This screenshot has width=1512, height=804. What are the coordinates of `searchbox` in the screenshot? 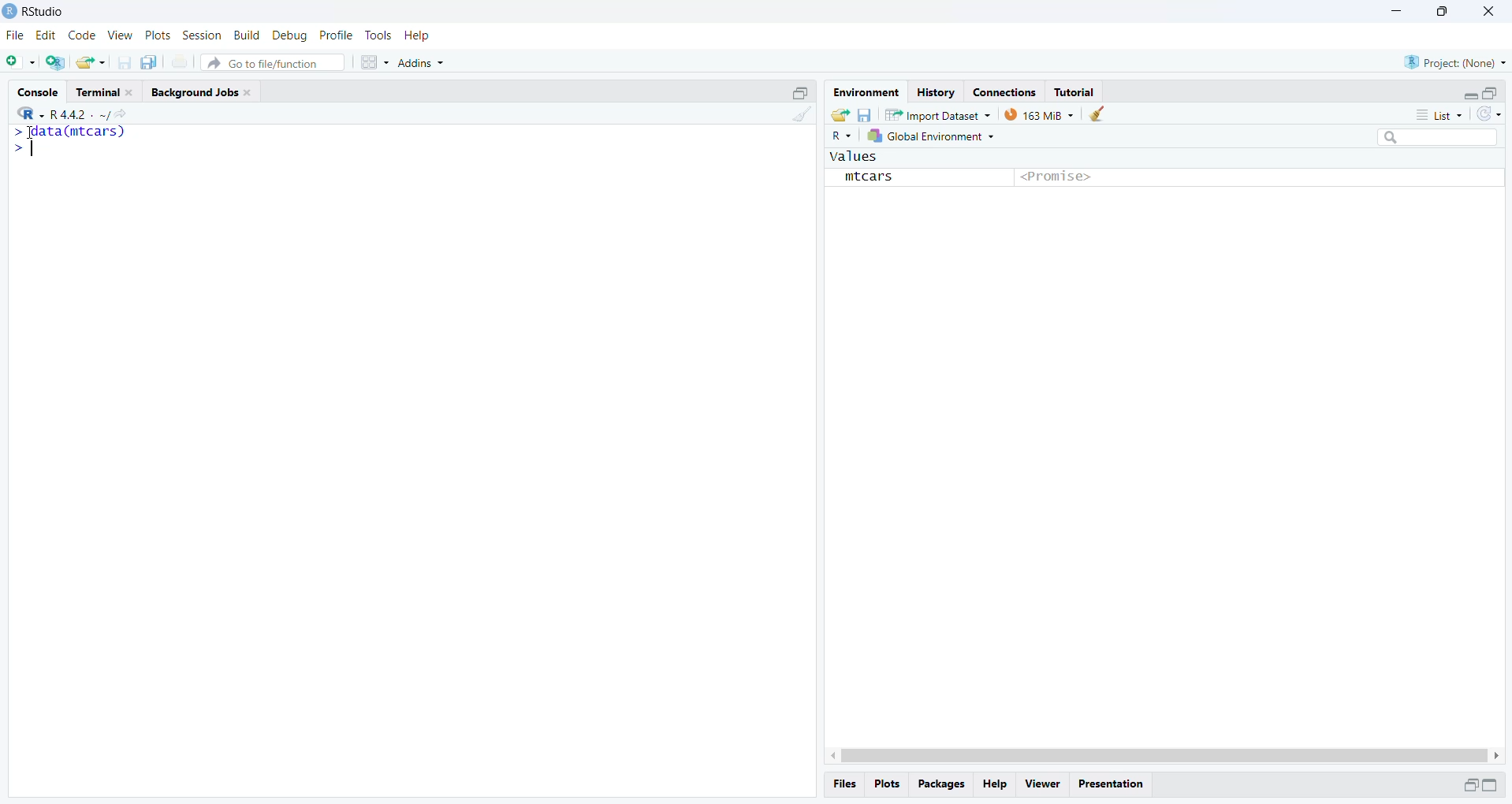 It's located at (1439, 136).